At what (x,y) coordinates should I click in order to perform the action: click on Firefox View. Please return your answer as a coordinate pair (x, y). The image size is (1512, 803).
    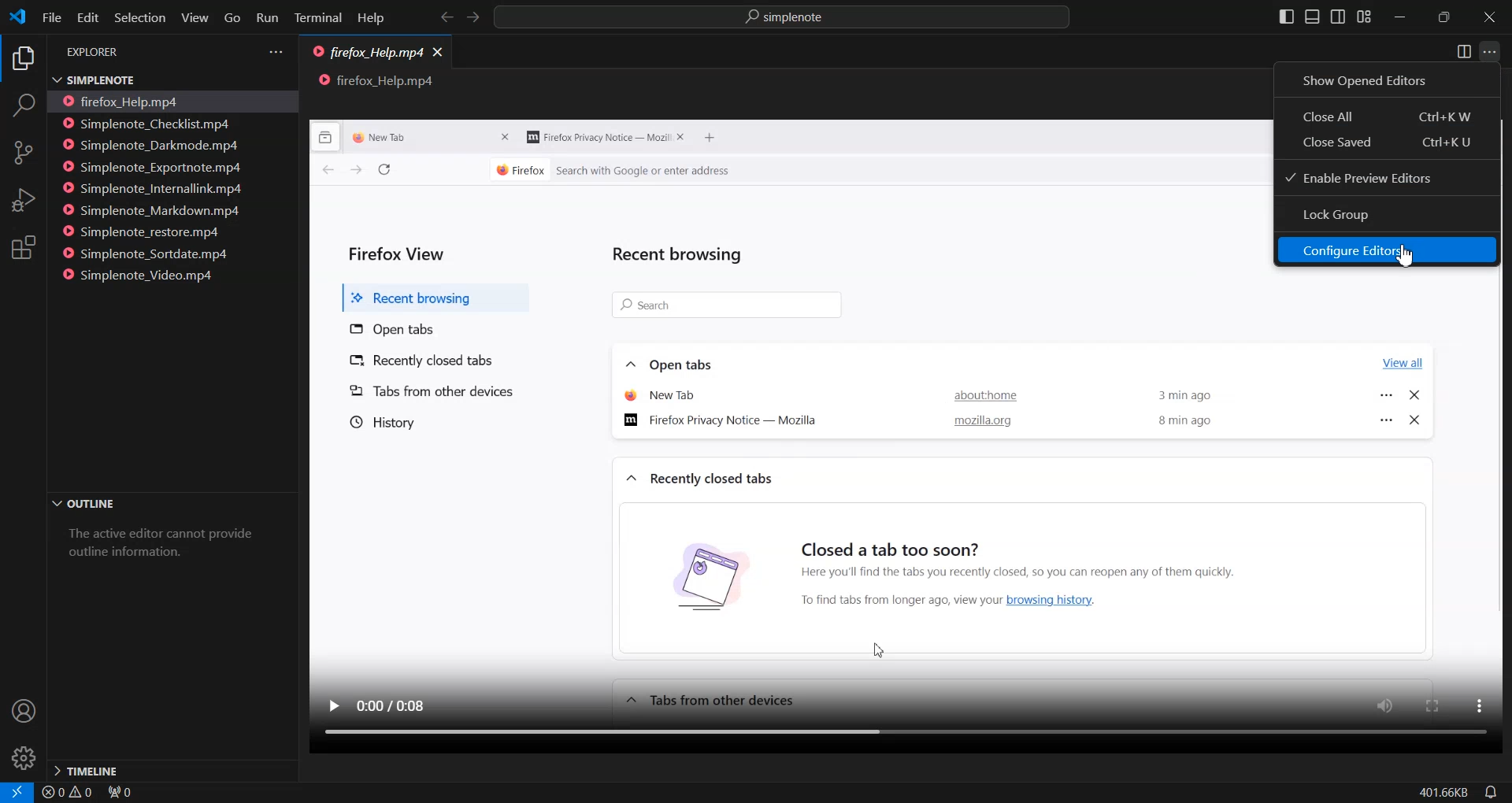
    Looking at the image, I should click on (399, 250).